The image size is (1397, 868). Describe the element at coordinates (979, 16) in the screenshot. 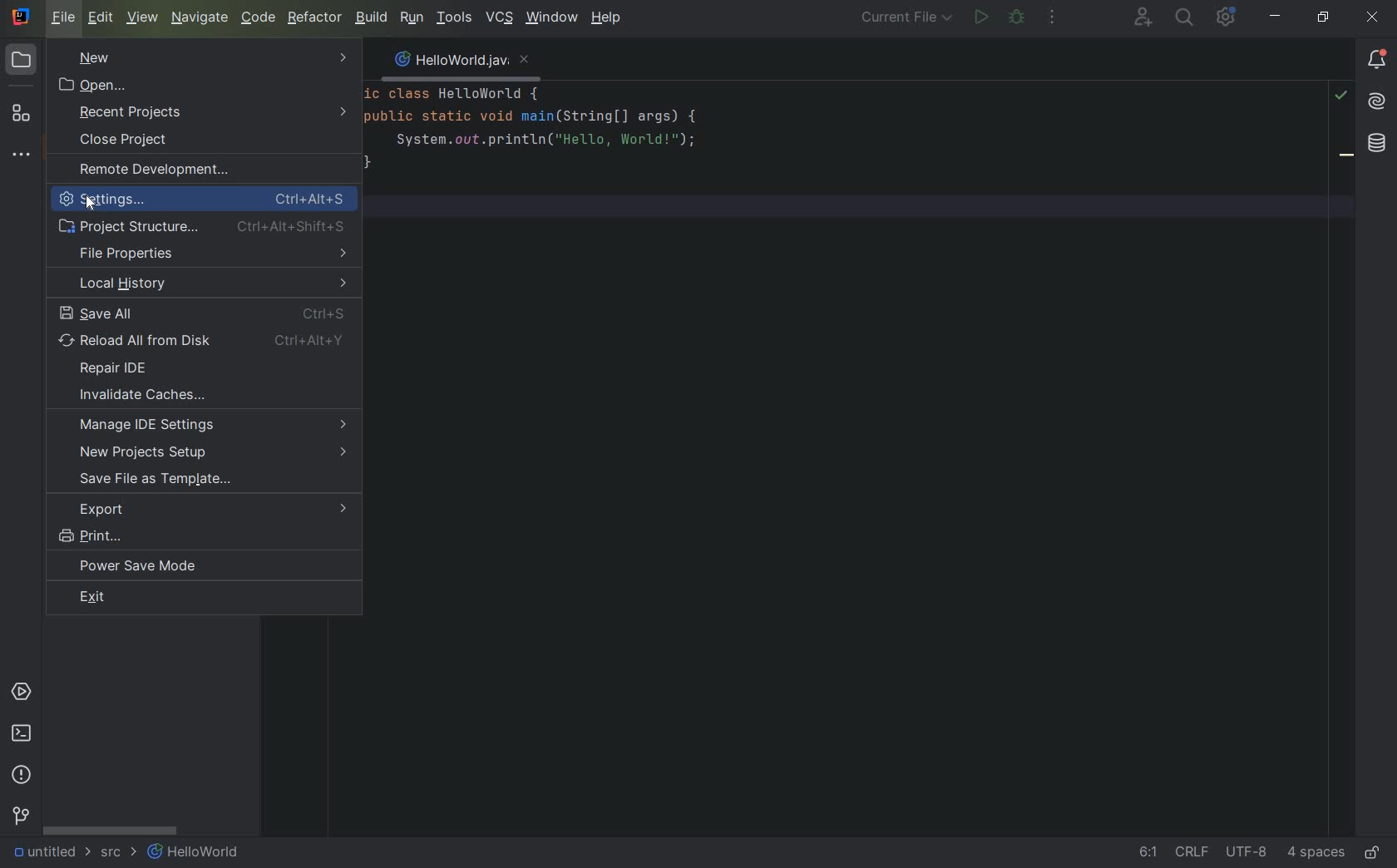

I see `run` at that location.